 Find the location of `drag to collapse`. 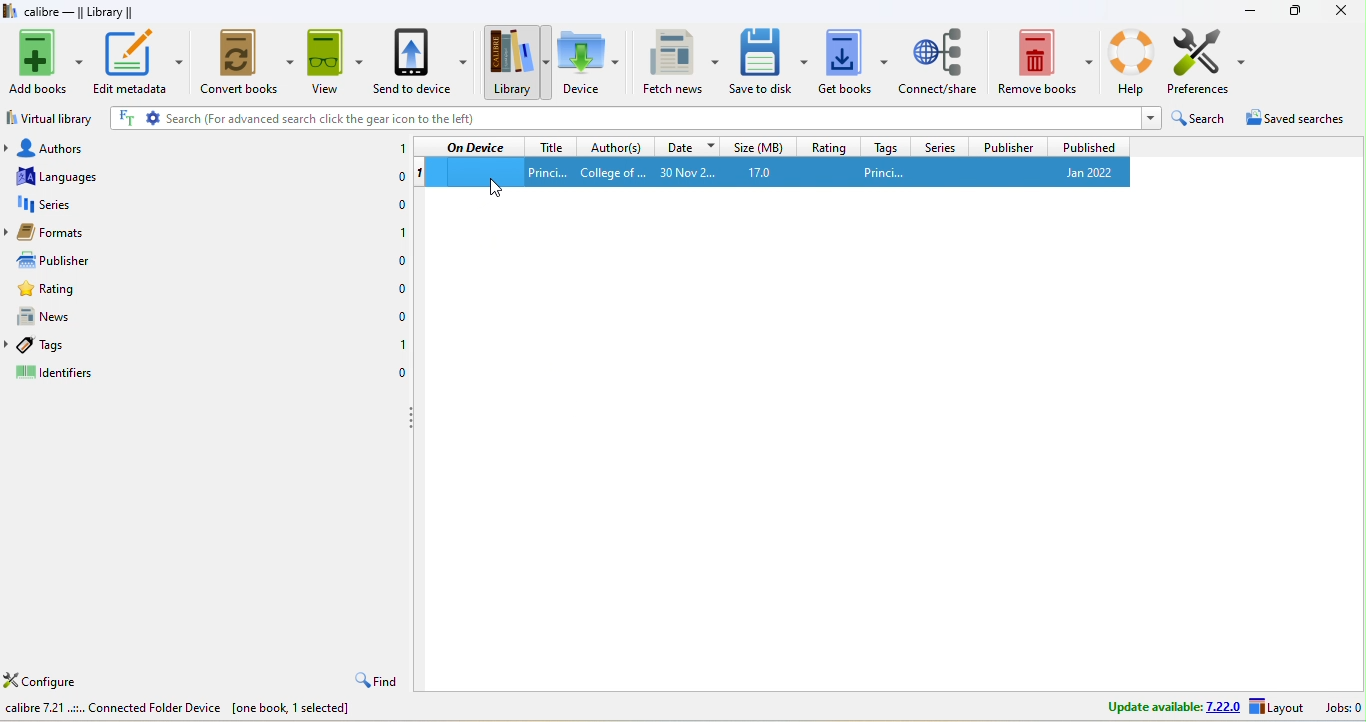

drag to collapse is located at coordinates (414, 420).